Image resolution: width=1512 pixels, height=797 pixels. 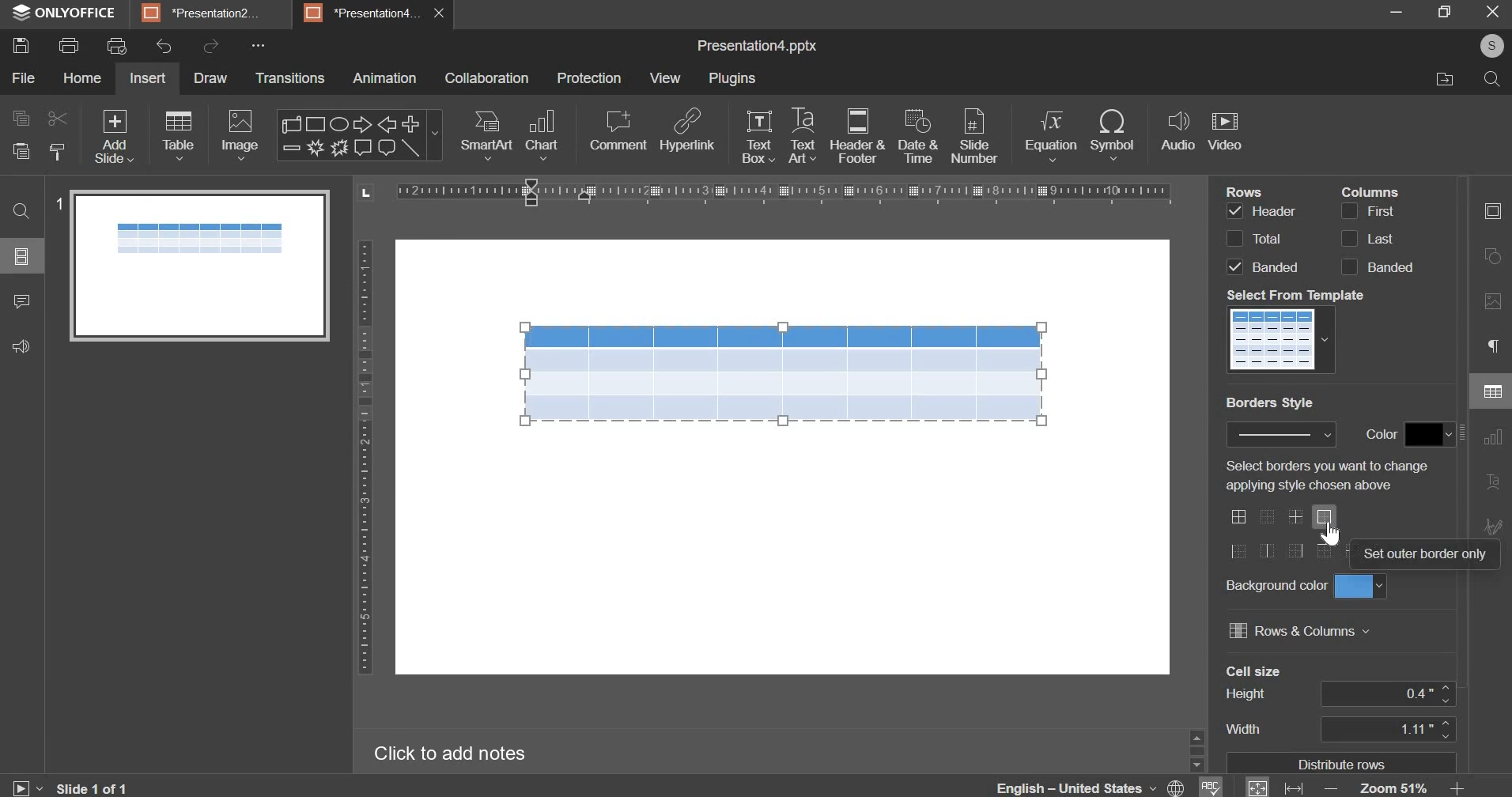 I want to click on cell size, so click(x=1426, y=695).